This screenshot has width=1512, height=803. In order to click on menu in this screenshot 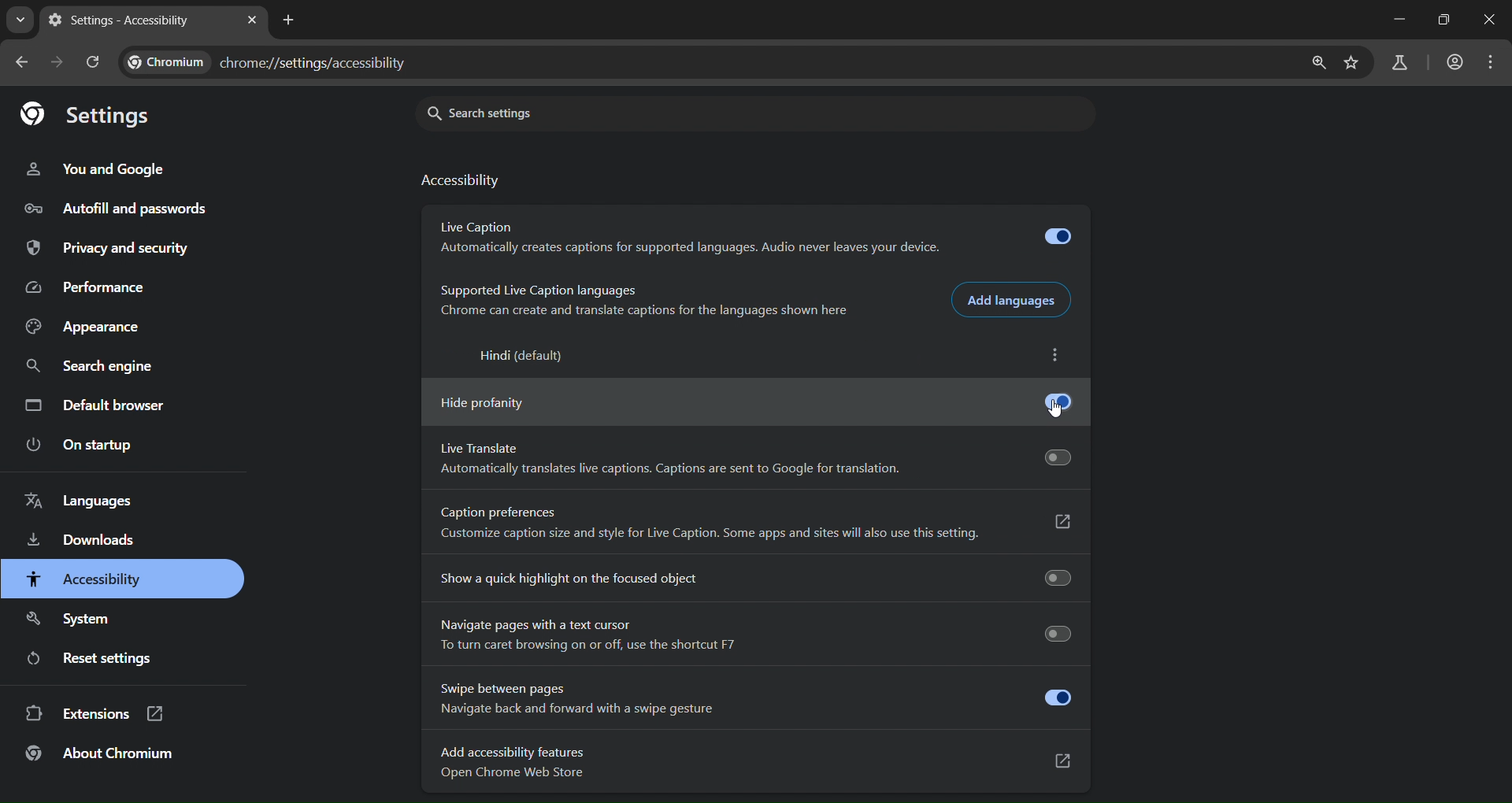, I will do `click(1492, 62)`.